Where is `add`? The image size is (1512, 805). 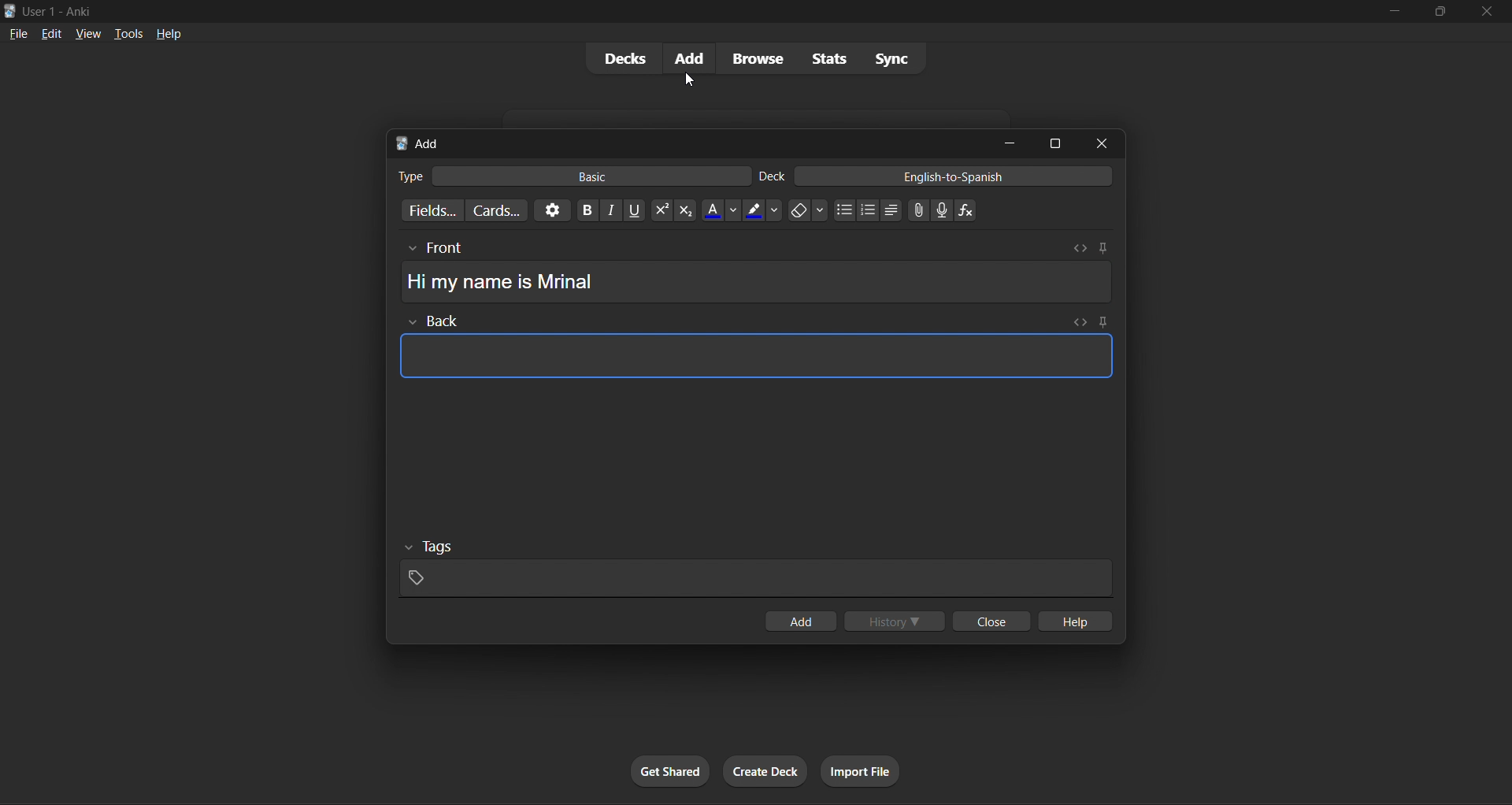 add is located at coordinates (802, 621).